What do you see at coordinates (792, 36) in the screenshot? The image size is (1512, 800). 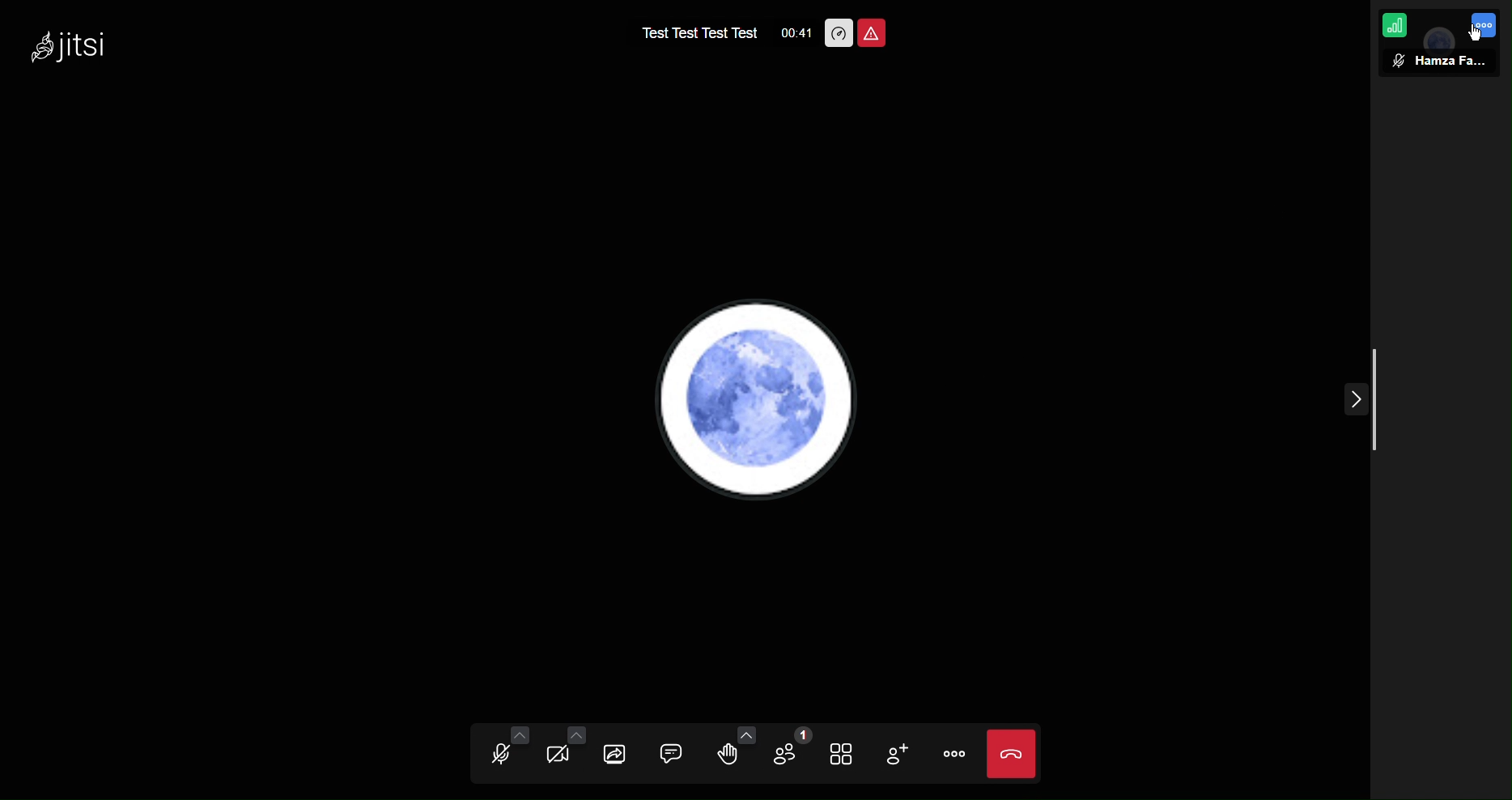 I see `00:41` at bounding box center [792, 36].